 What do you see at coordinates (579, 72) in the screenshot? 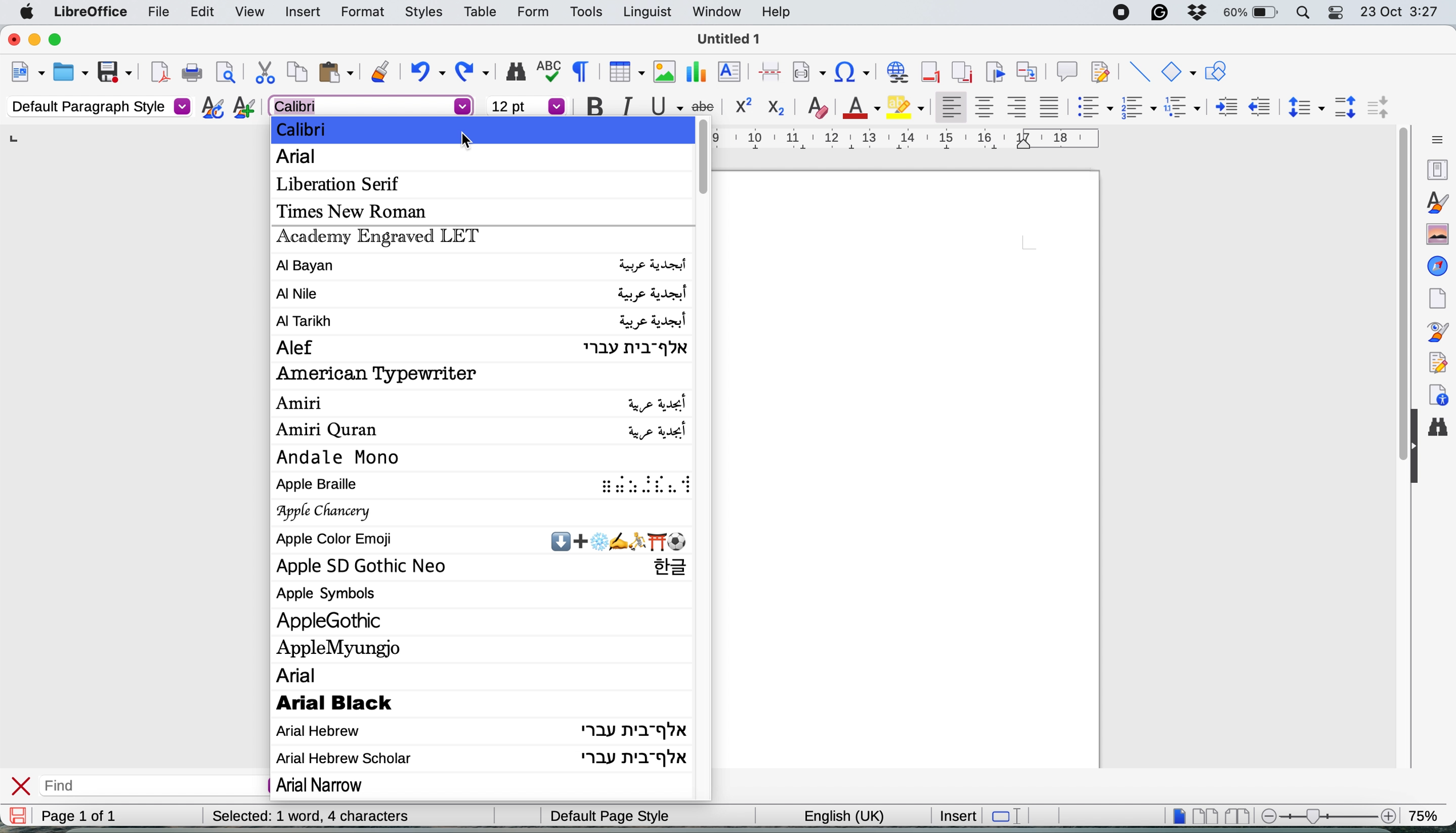
I see `toggle formatting marks` at bounding box center [579, 72].